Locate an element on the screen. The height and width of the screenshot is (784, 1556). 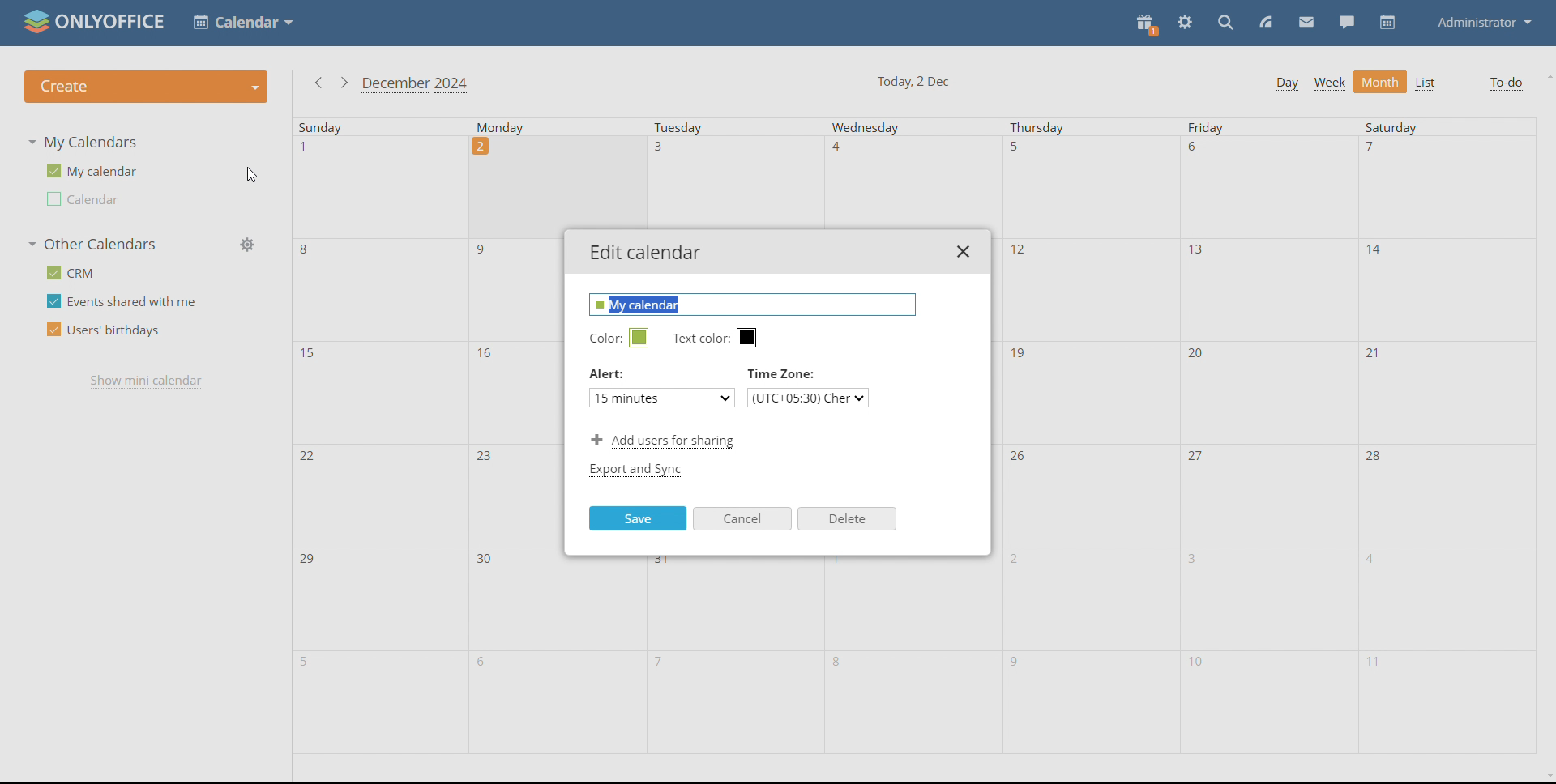
week view is located at coordinates (1329, 83).